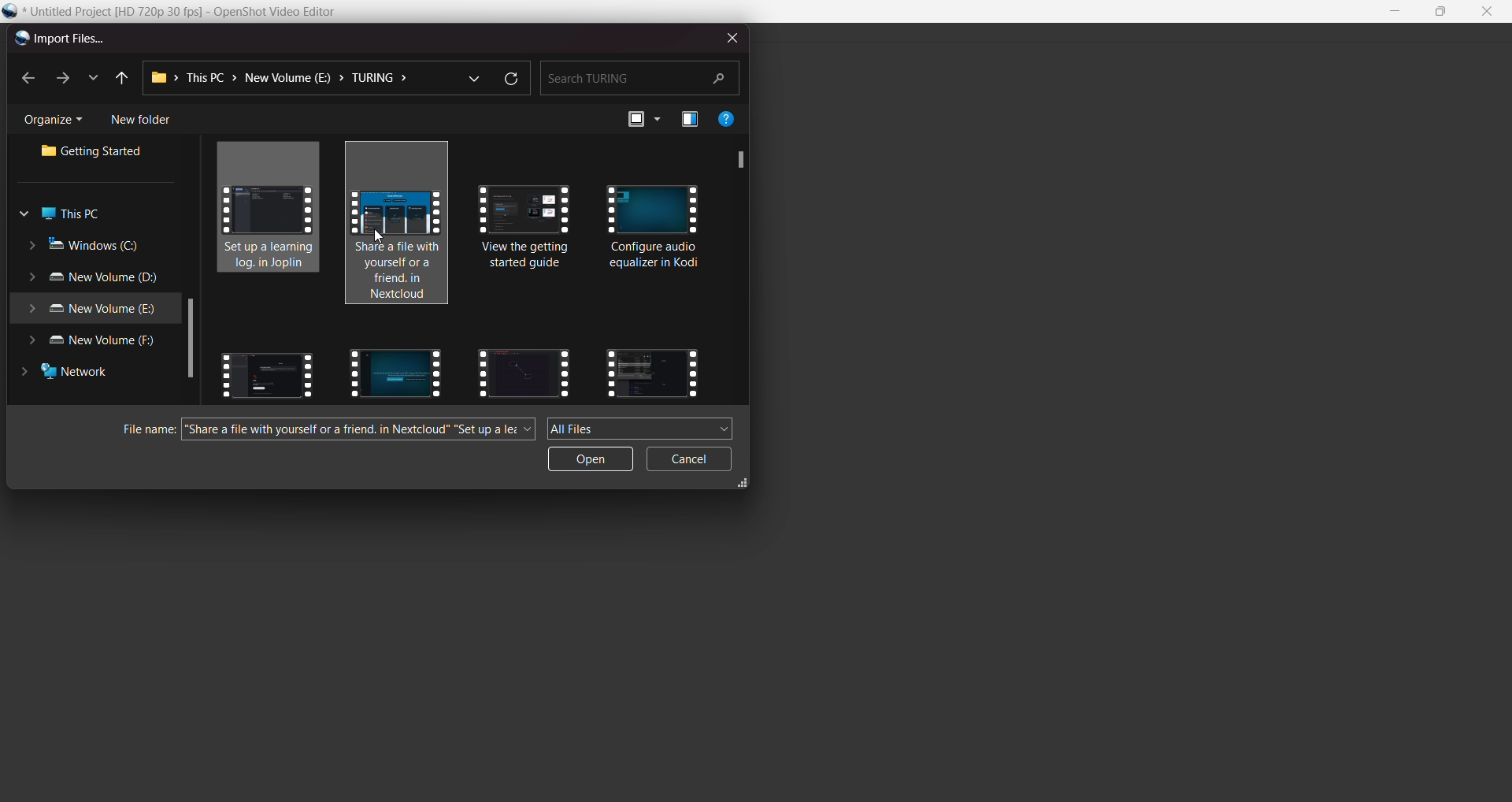 The height and width of the screenshot is (802, 1512). I want to click on new volume d, so click(97, 279).